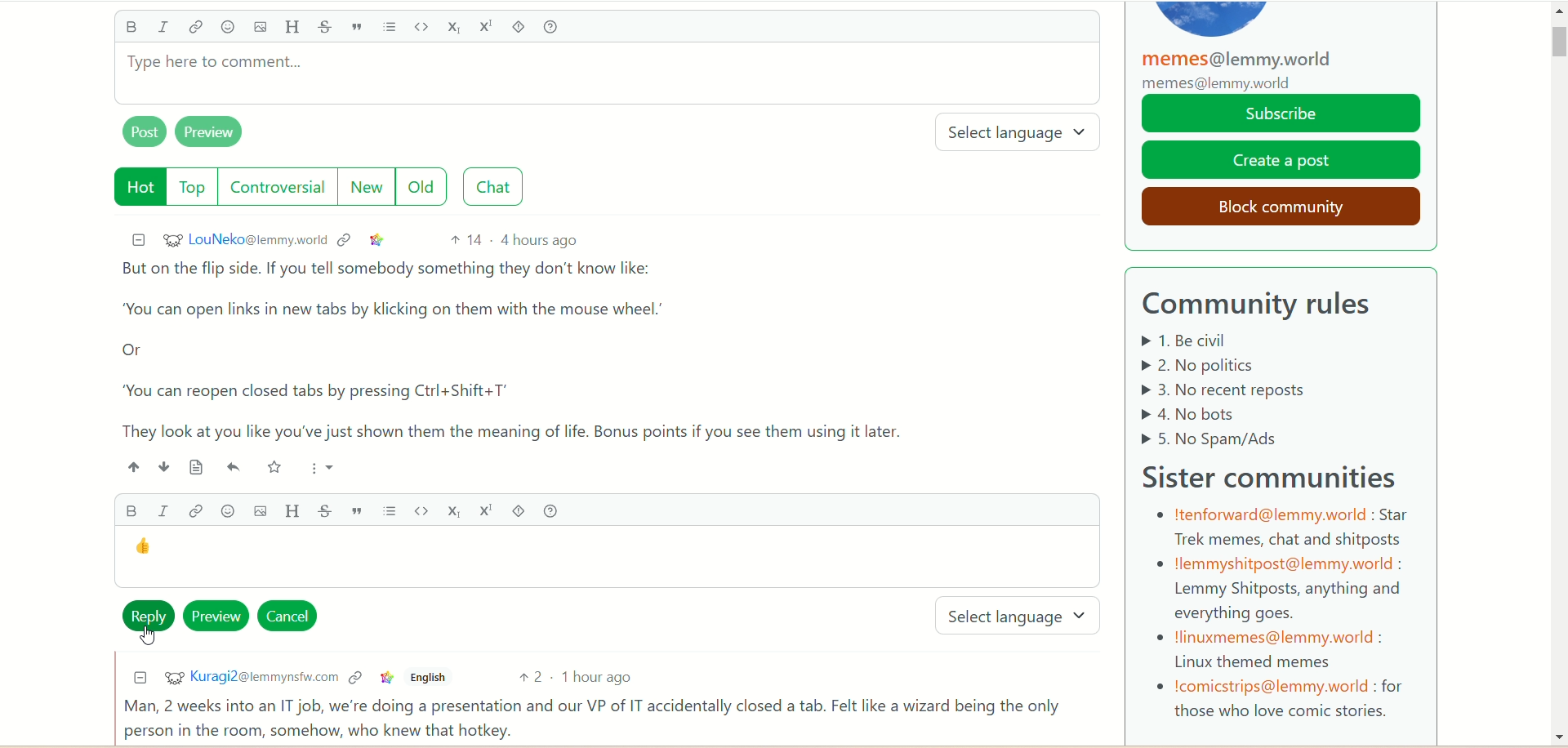 This screenshot has width=1568, height=748. I want to click on code, so click(424, 26).